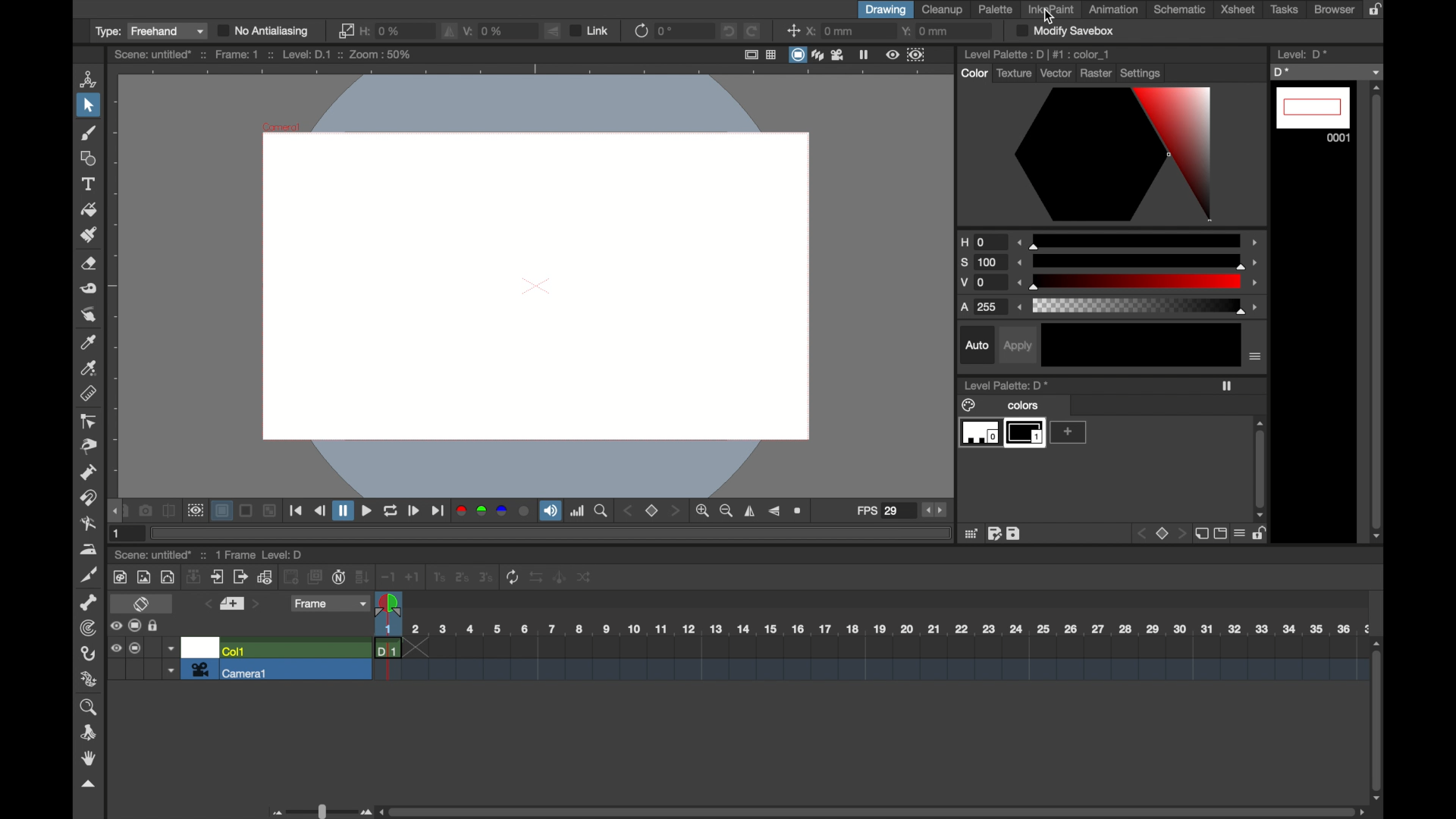 The width and height of the screenshot is (1456, 819). What do you see at coordinates (982, 242) in the screenshot?
I see `H: 0` at bounding box center [982, 242].